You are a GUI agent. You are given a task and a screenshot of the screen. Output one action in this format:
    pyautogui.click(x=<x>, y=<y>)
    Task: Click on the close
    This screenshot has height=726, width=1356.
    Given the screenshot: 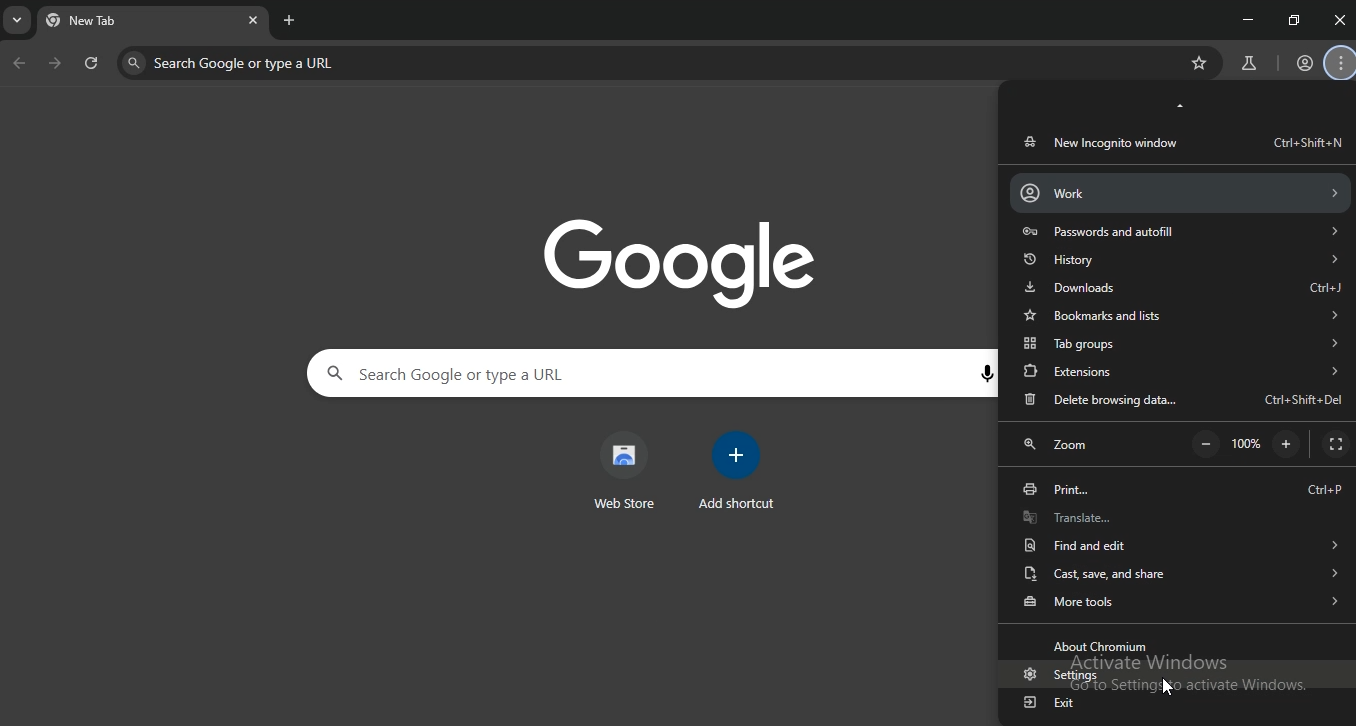 What is the action you would take?
    pyautogui.click(x=1340, y=20)
    